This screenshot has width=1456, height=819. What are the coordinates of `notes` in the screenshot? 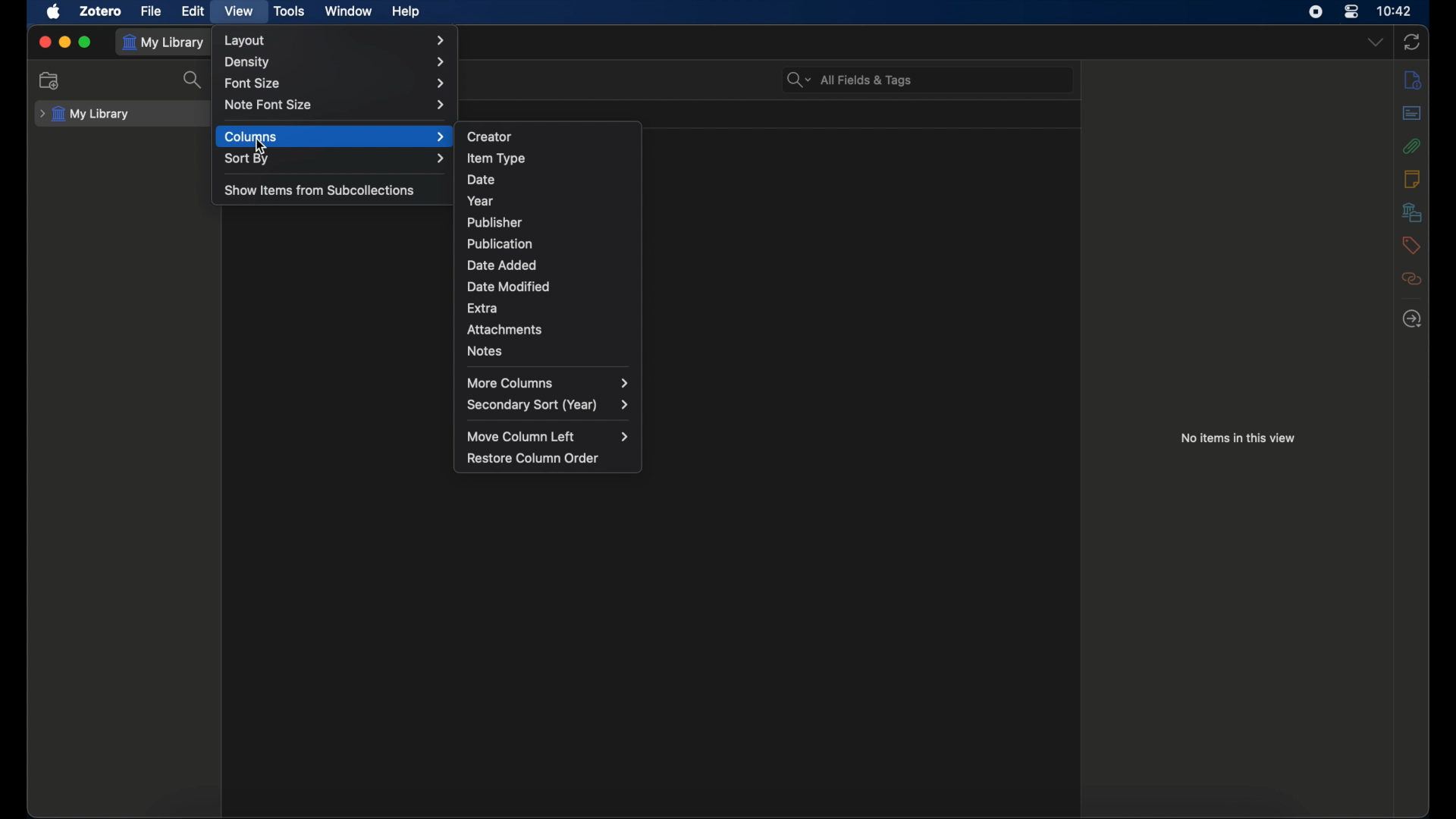 It's located at (485, 350).